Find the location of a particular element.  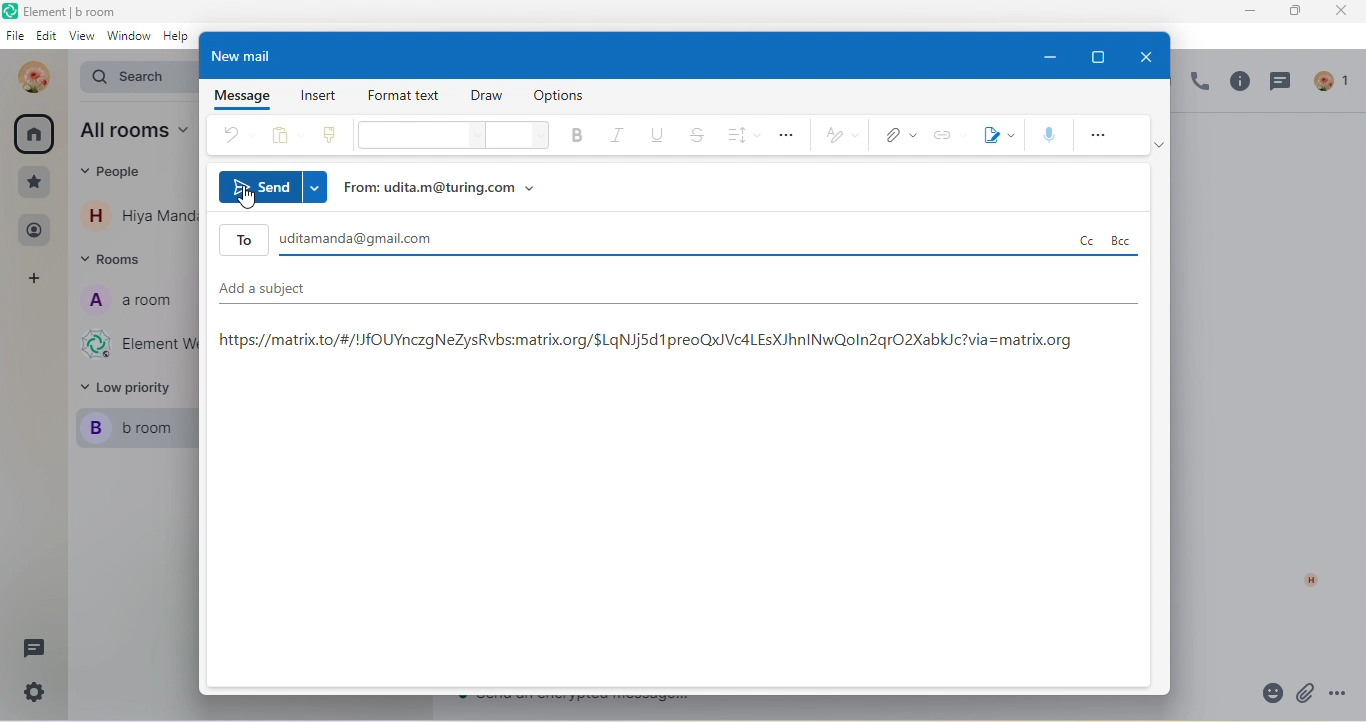

view is located at coordinates (81, 39).